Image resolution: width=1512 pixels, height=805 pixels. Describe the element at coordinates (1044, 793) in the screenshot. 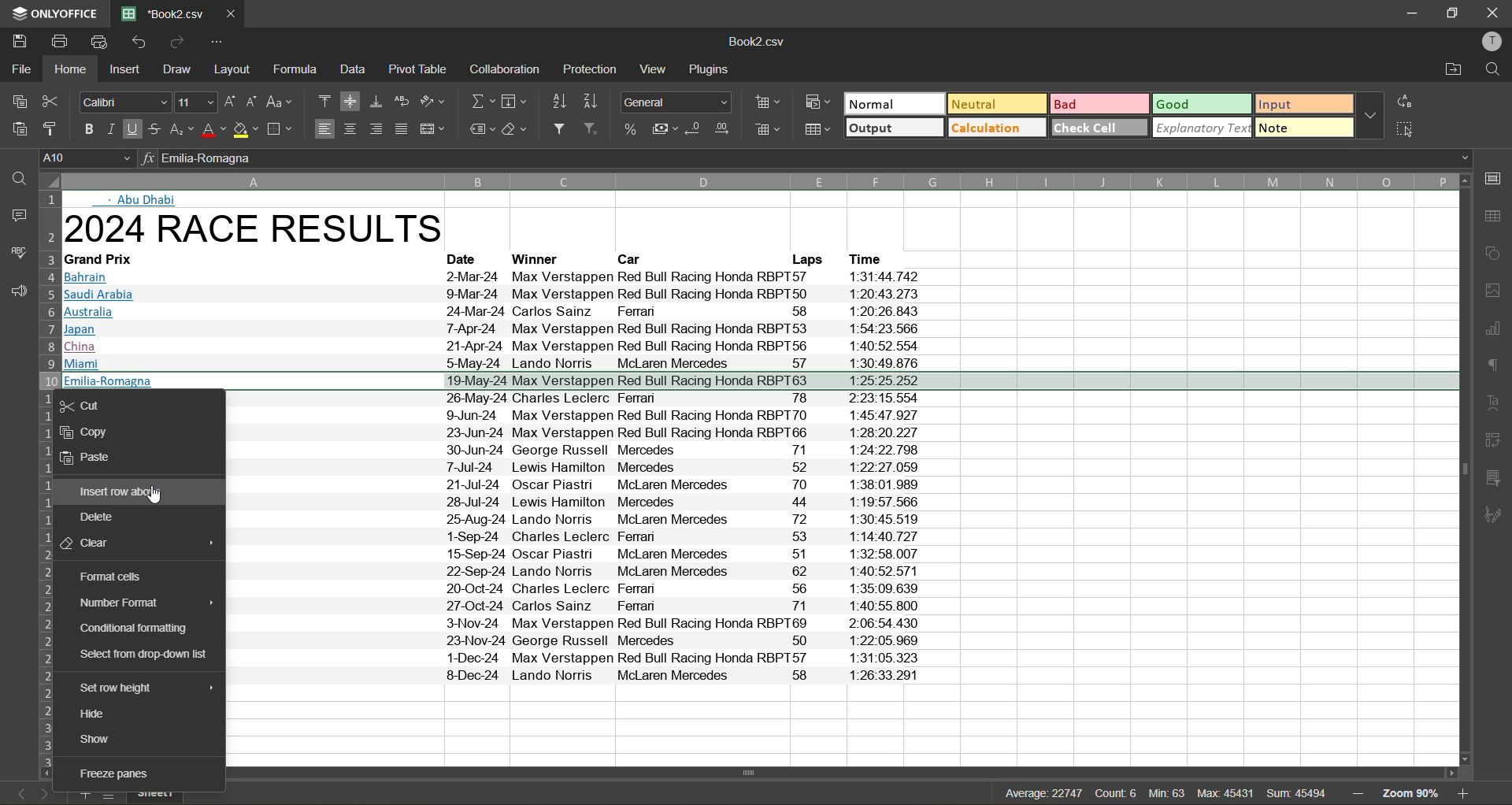

I see `Average: 22737` at that location.